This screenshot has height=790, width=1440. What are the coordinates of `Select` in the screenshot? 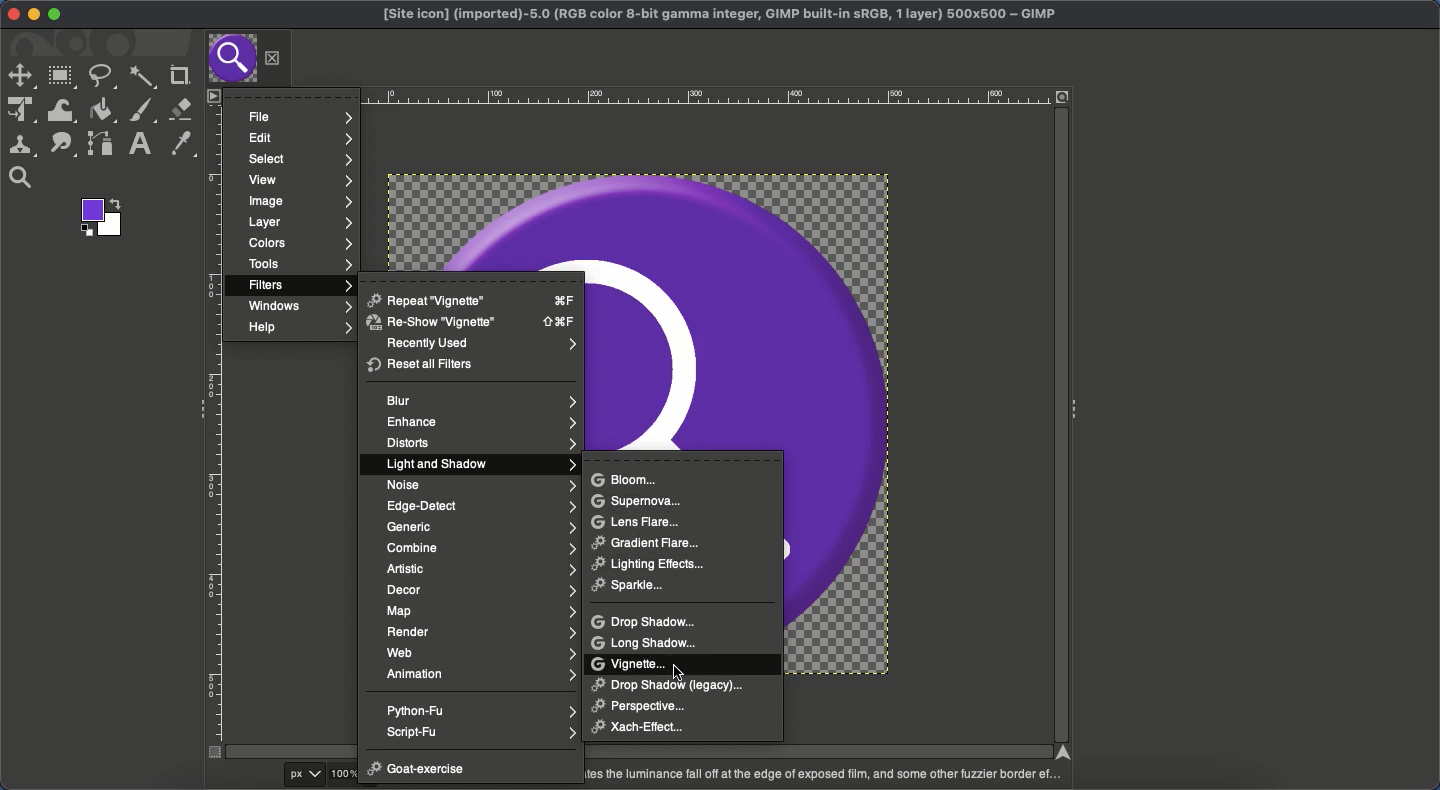 It's located at (297, 159).